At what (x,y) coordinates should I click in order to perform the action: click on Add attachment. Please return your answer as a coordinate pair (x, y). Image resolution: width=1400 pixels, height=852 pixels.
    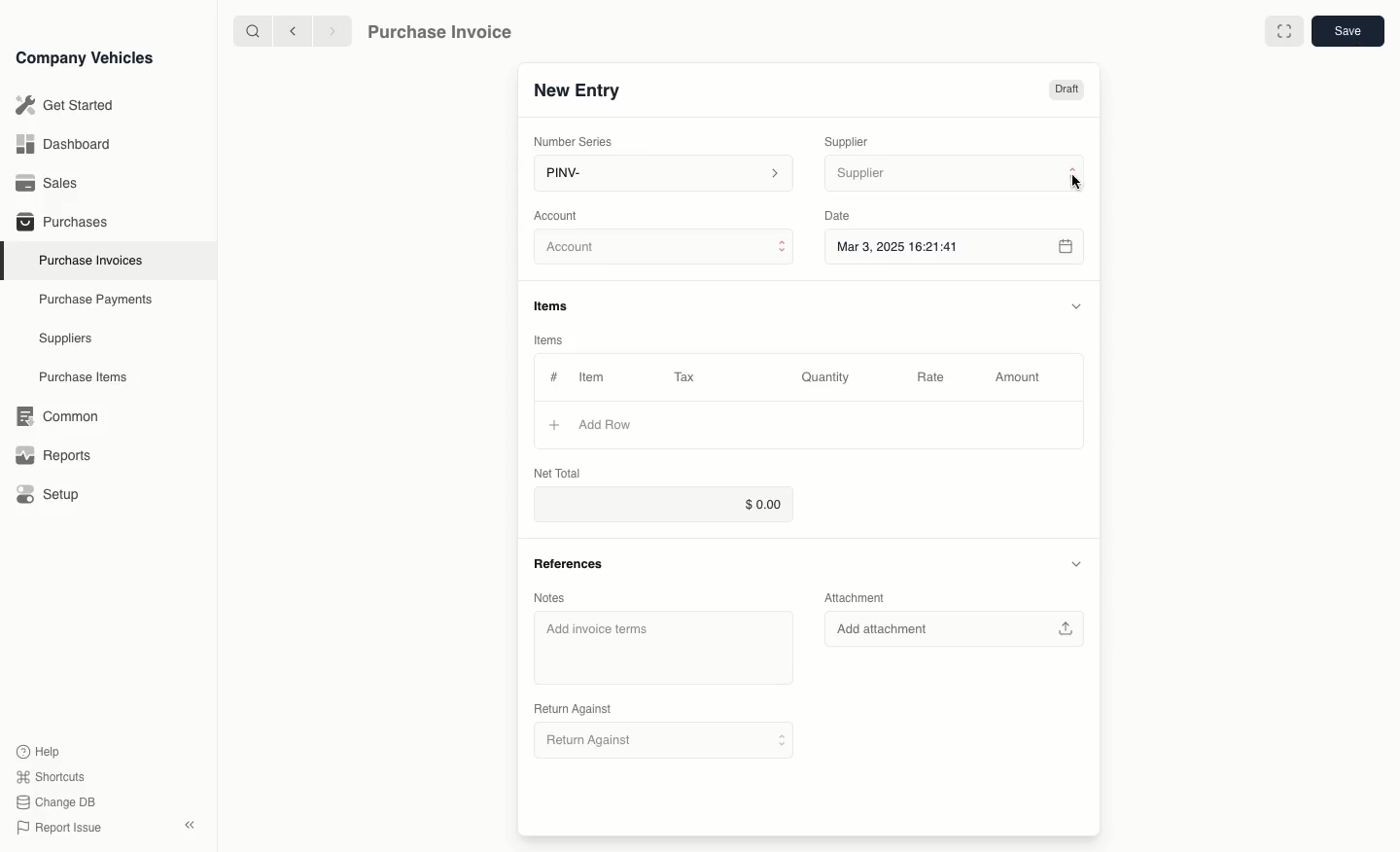
    Looking at the image, I should click on (952, 627).